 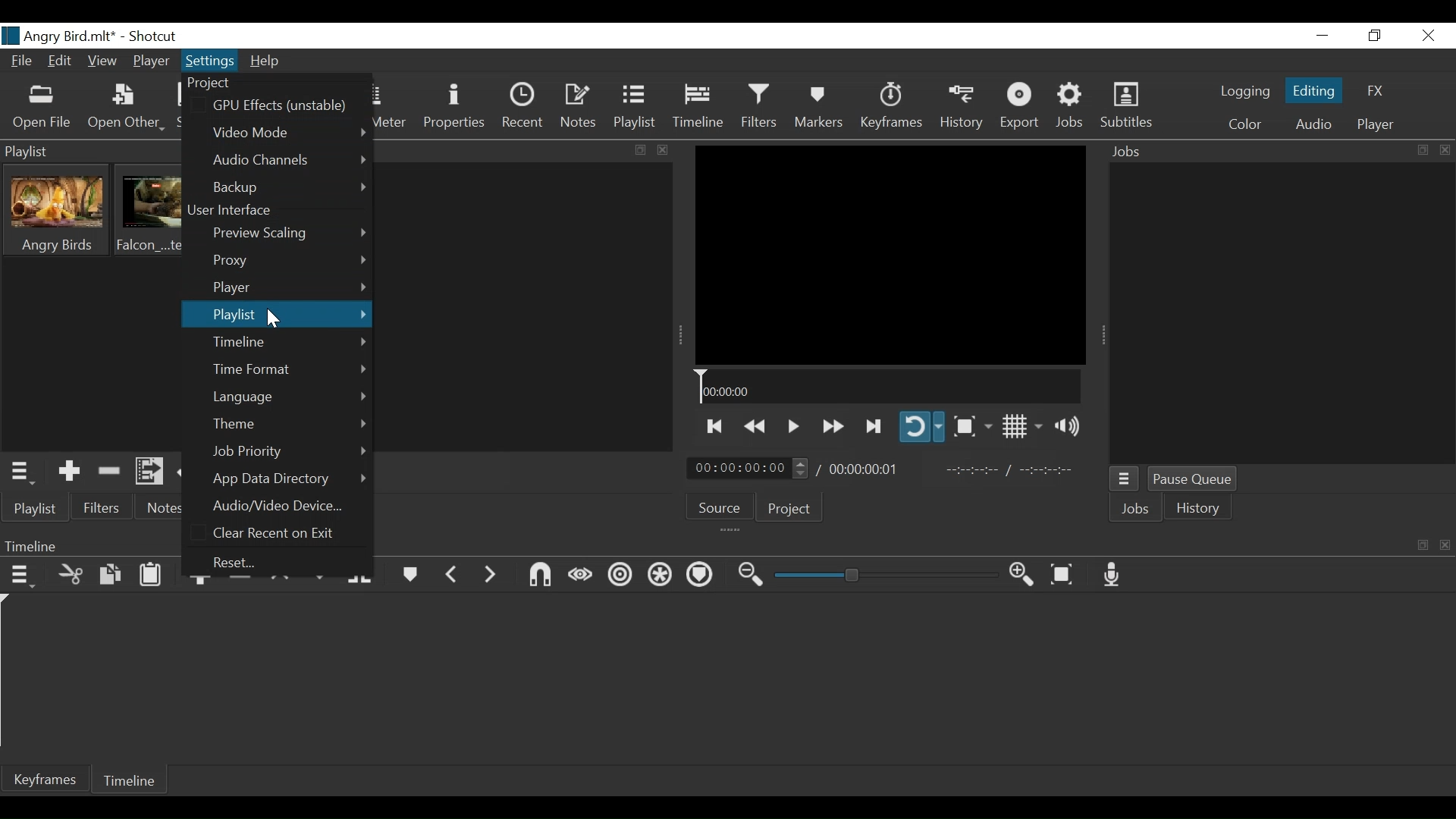 What do you see at coordinates (289, 369) in the screenshot?
I see `Time Format` at bounding box center [289, 369].